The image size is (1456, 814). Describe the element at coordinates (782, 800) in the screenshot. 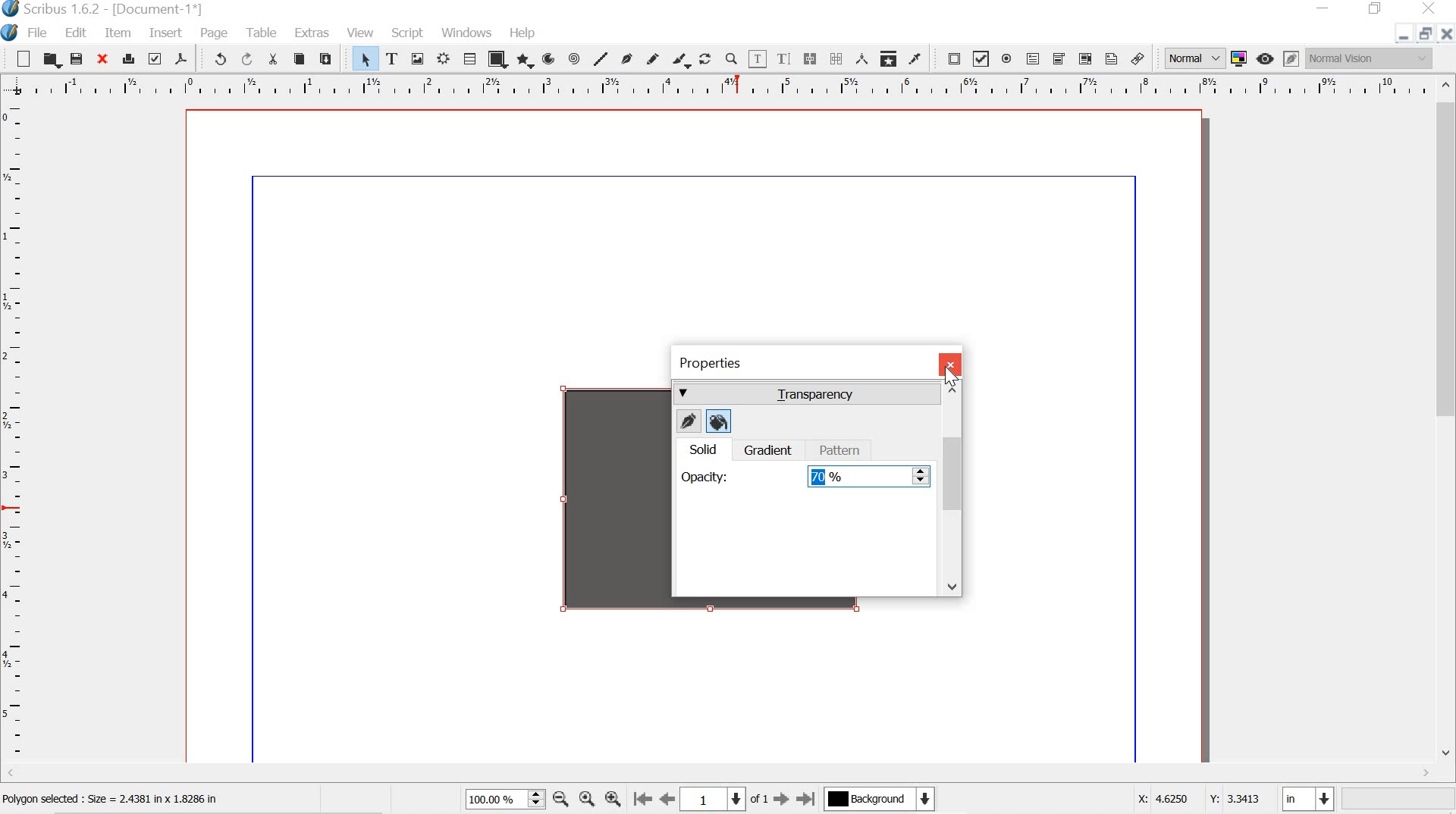

I see `go to next page` at that location.